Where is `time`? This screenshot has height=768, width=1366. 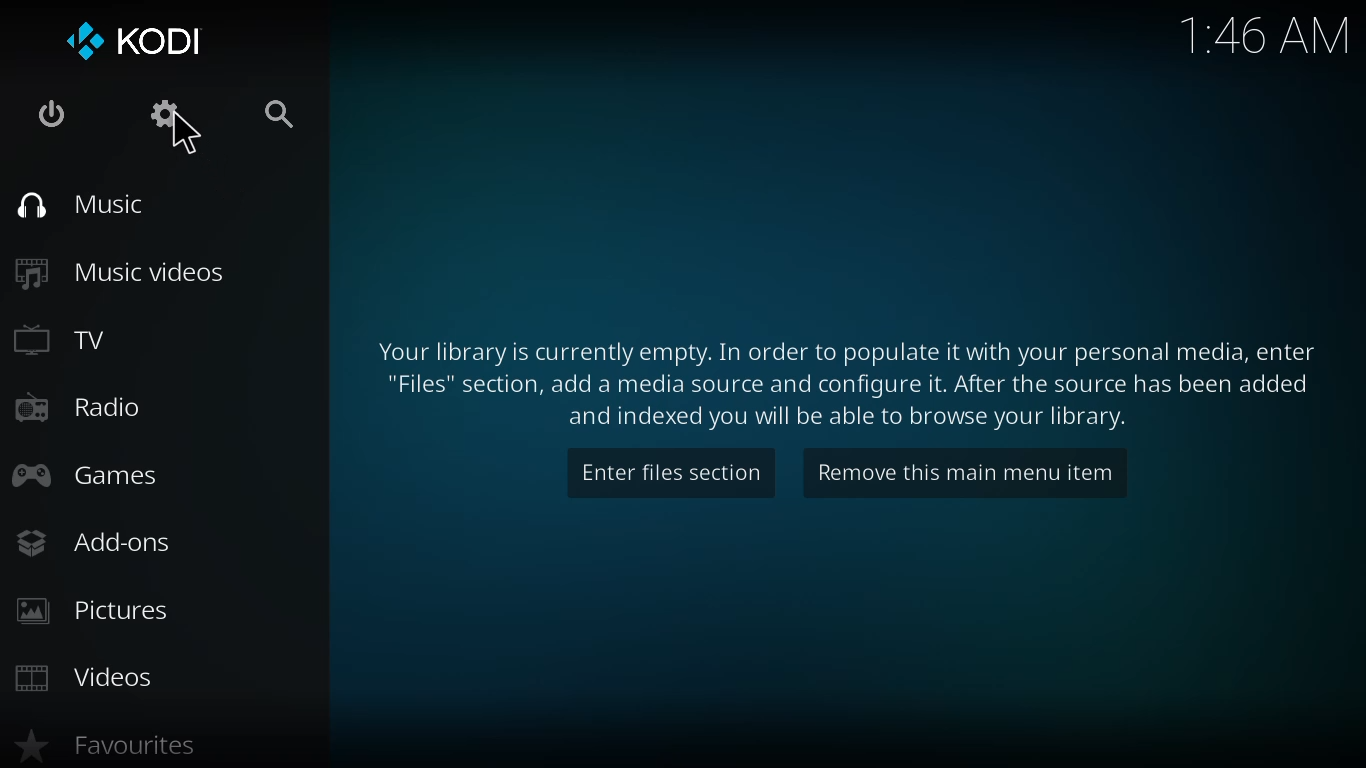 time is located at coordinates (1268, 37).